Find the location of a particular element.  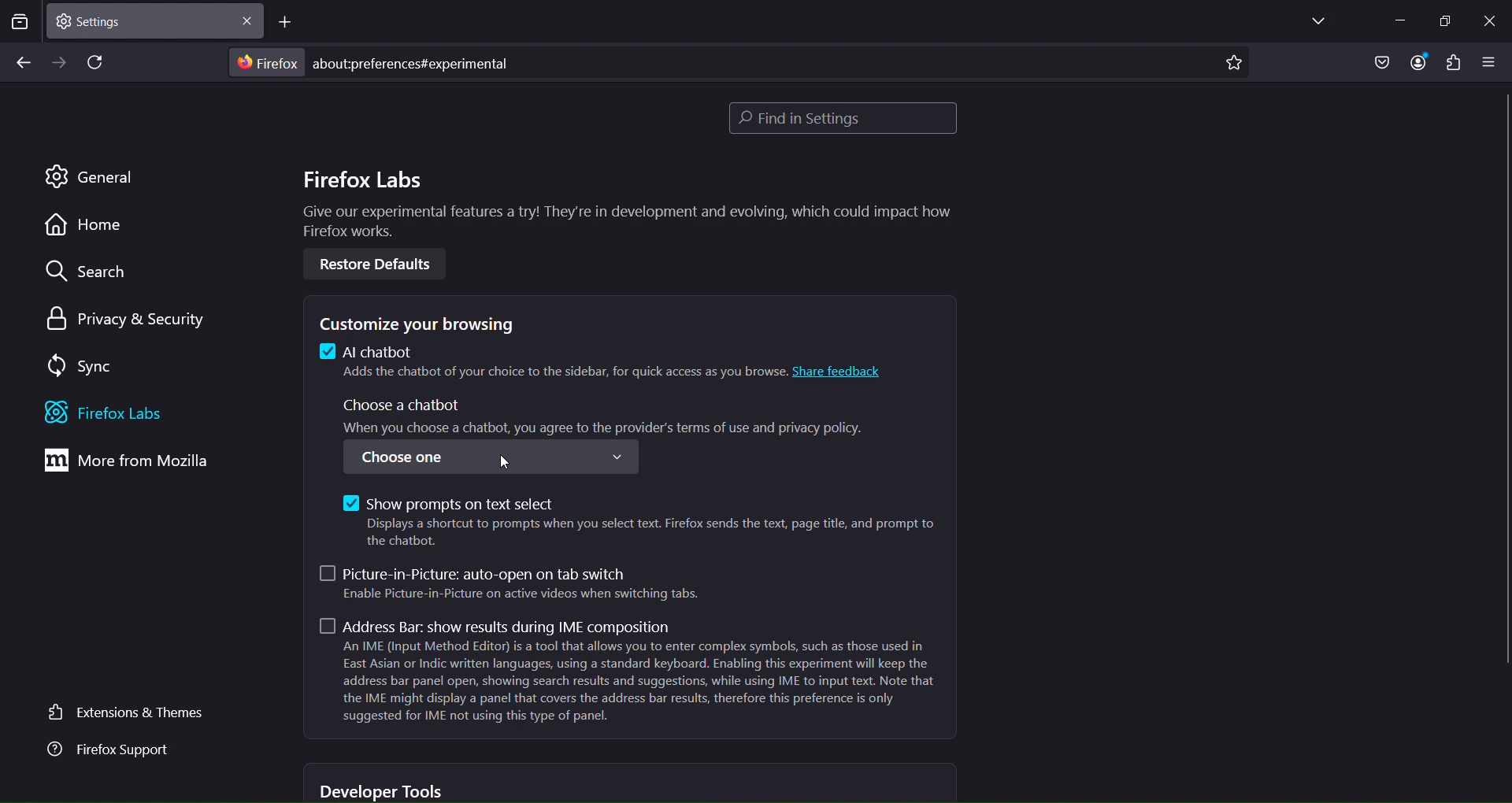

firefox labs is located at coordinates (128, 413).